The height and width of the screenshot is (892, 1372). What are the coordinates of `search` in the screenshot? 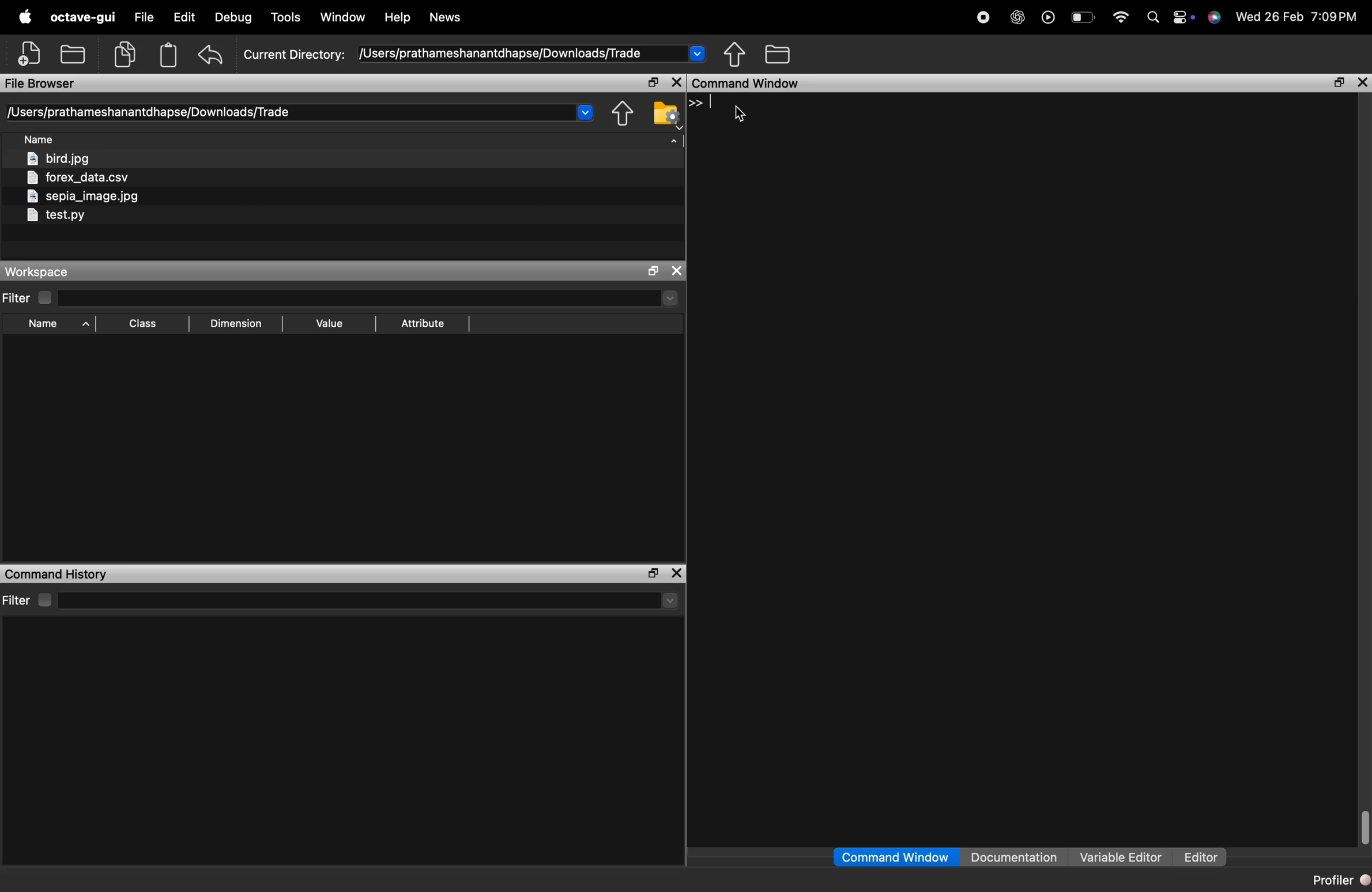 It's located at (1154, 18).